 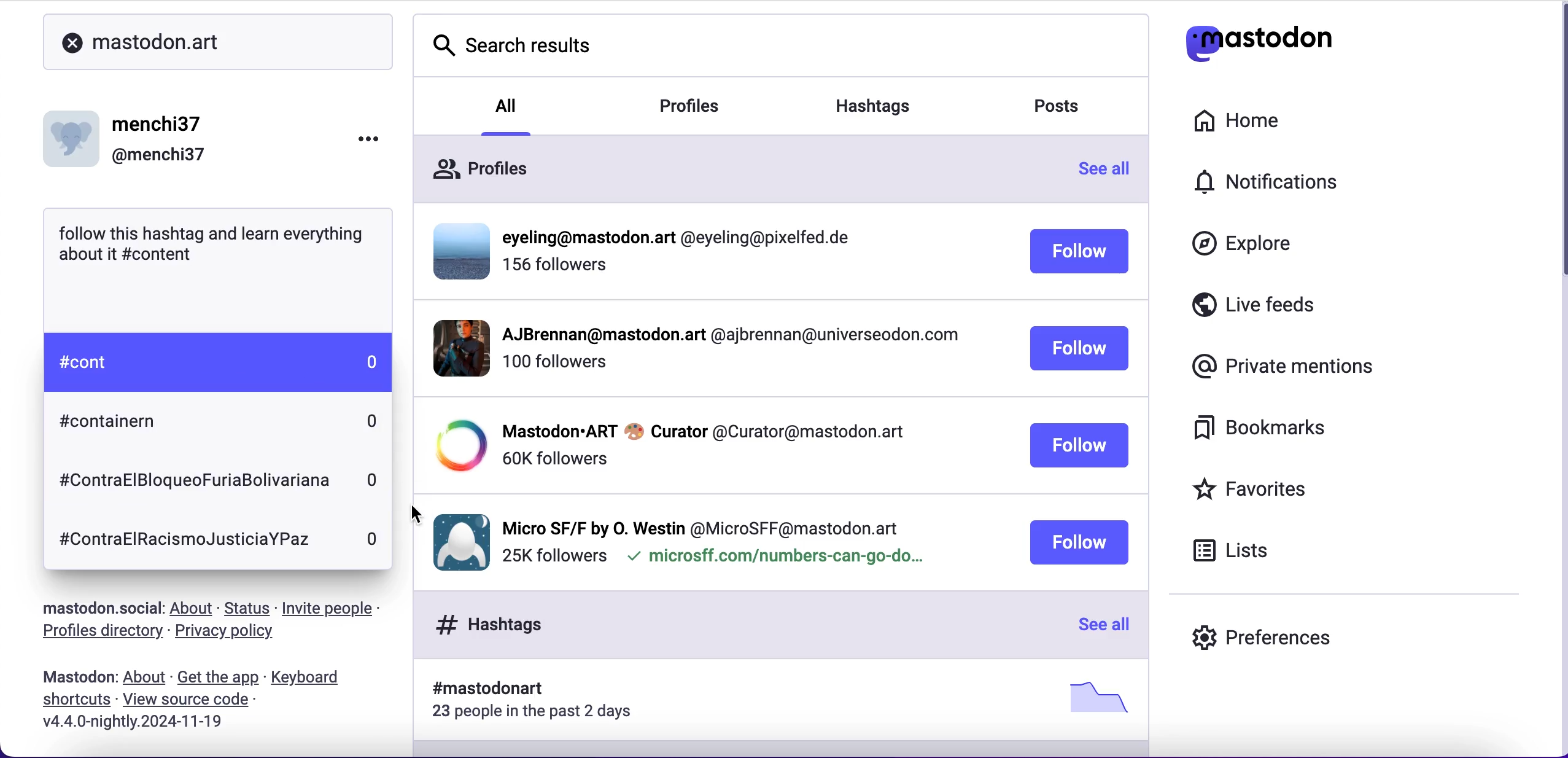 I want to click on follow, so click(x=1079, y=446).